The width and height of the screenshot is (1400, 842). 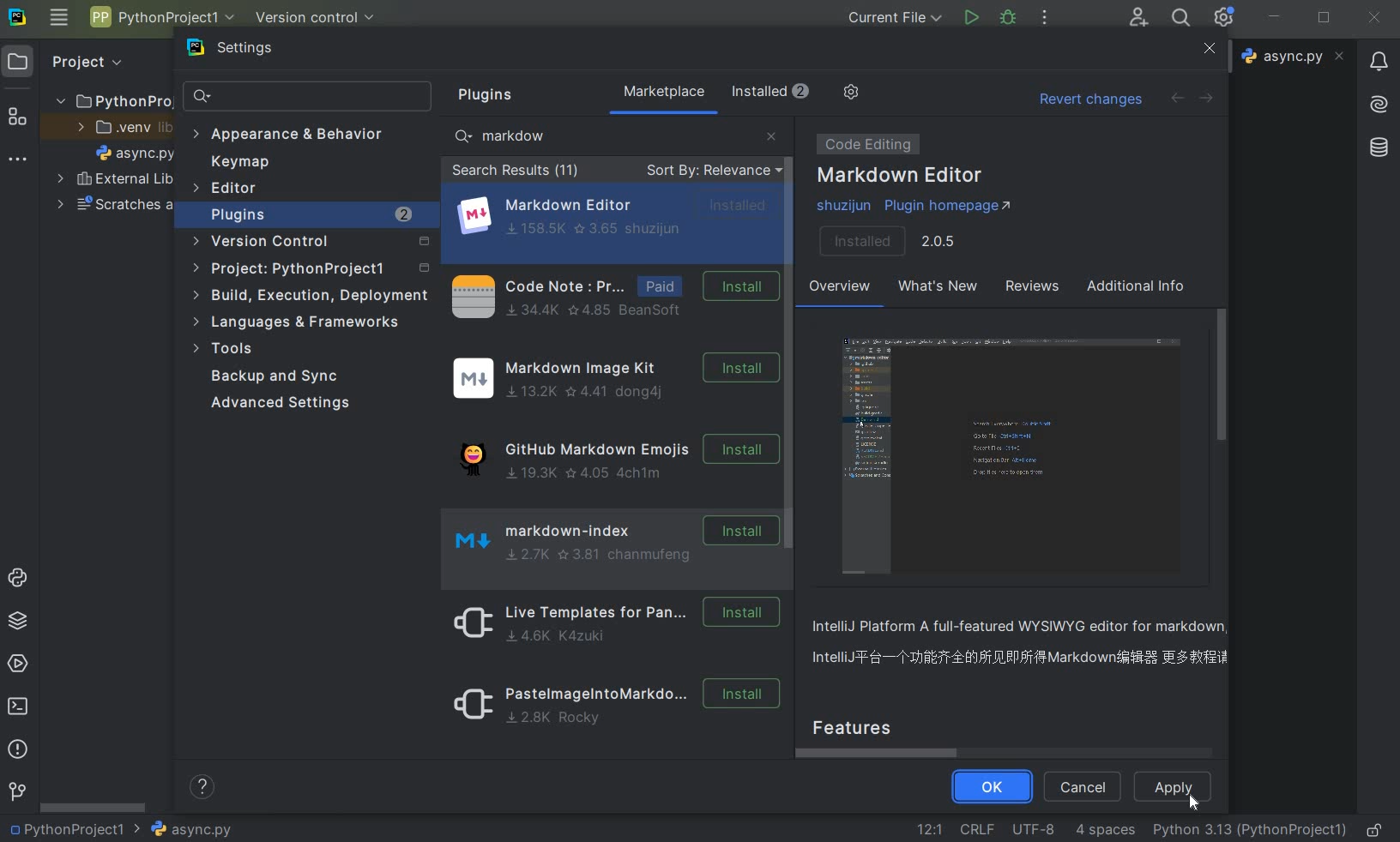 I want to click on python packages, so click(x=16, y=622).